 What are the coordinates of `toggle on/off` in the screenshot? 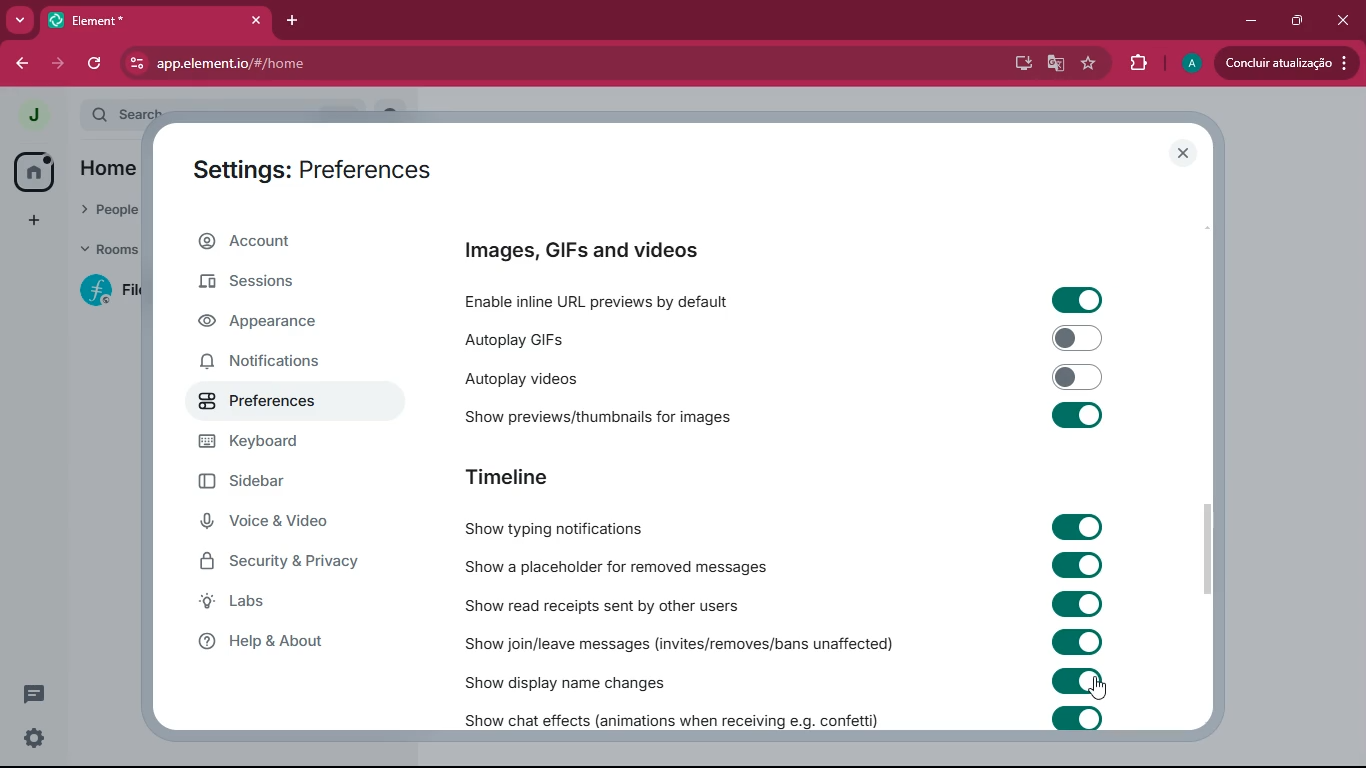 It's located at (1079, 527).